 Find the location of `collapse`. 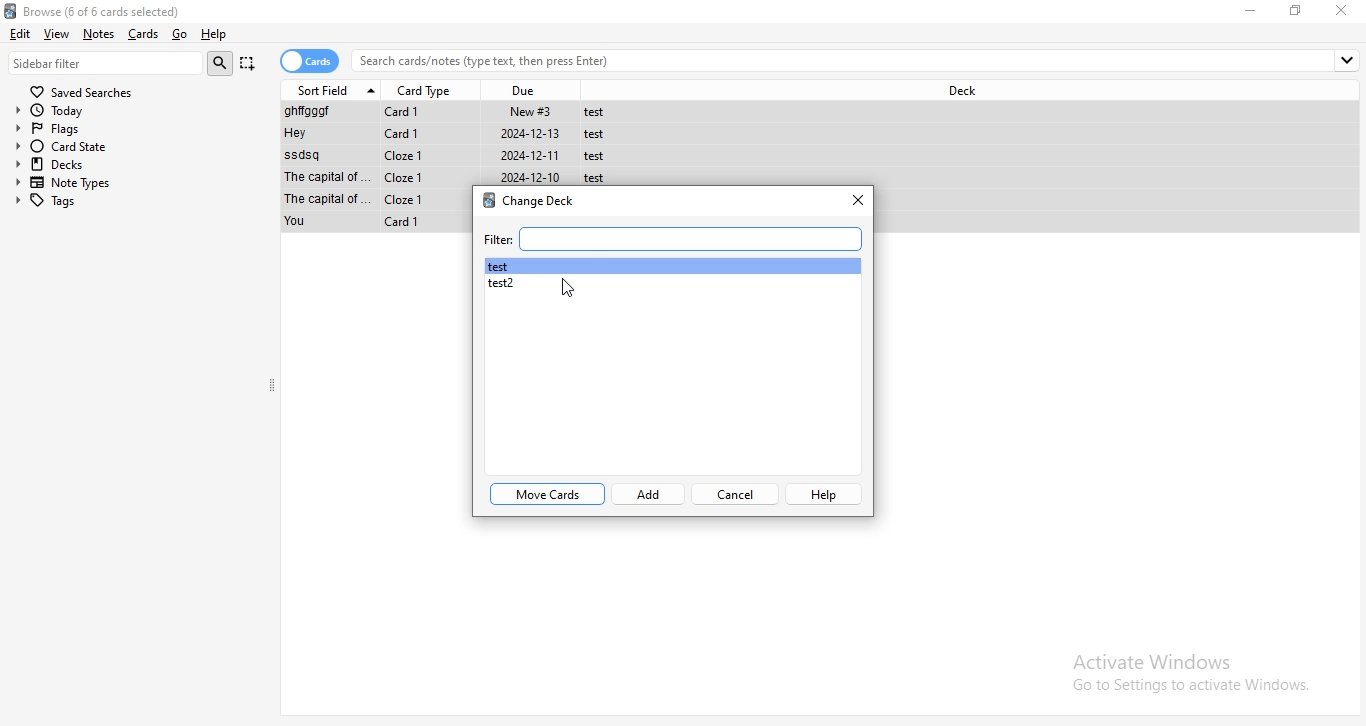

collapse is located at coordinates (273, 387).